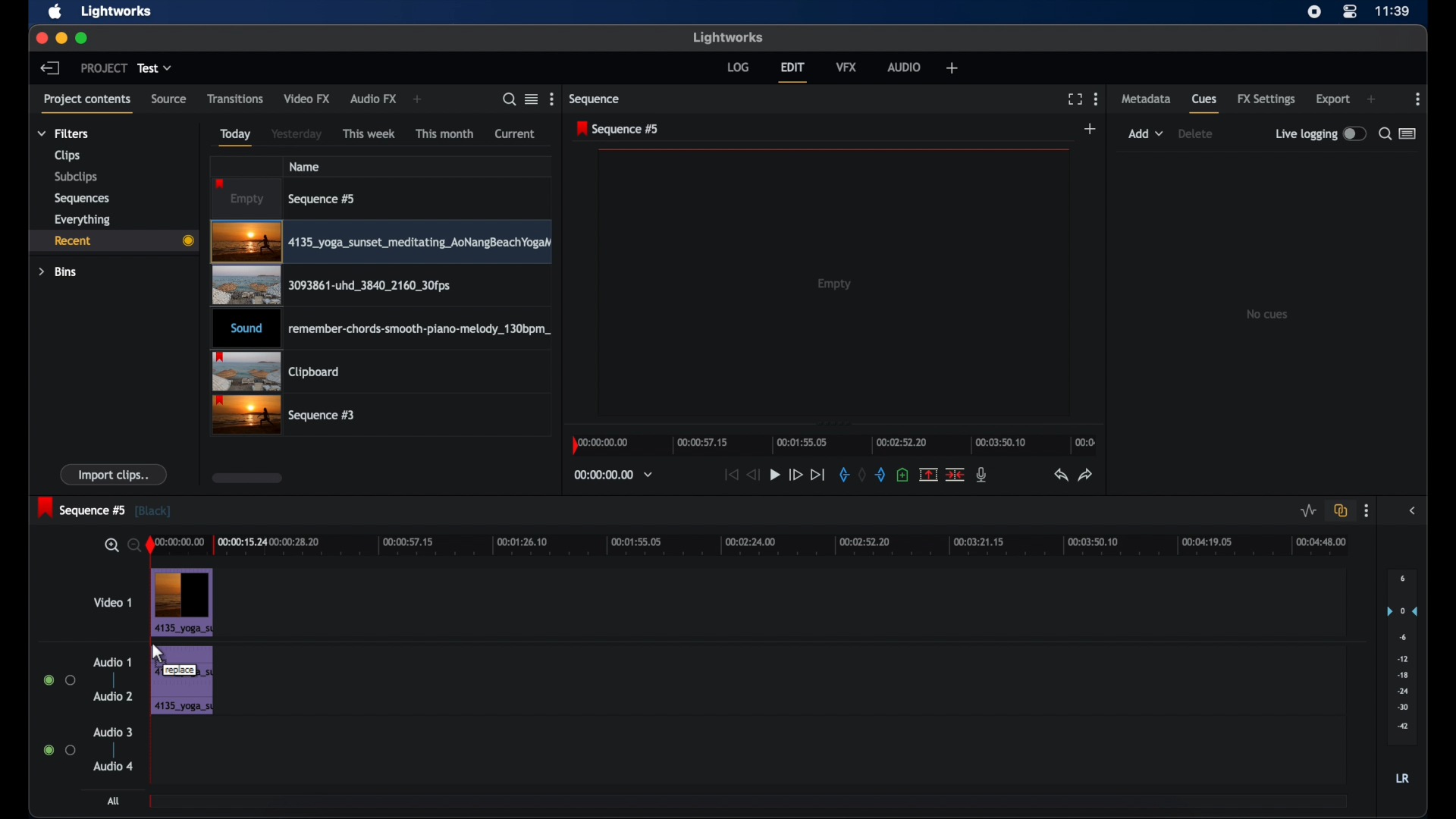 Image resolution: width=1456 pixels, height=819 pixels. What do you see at coordinates (1268, 99) in the screenshot?
I see `fx settings` at bounding box center [1268, 99].